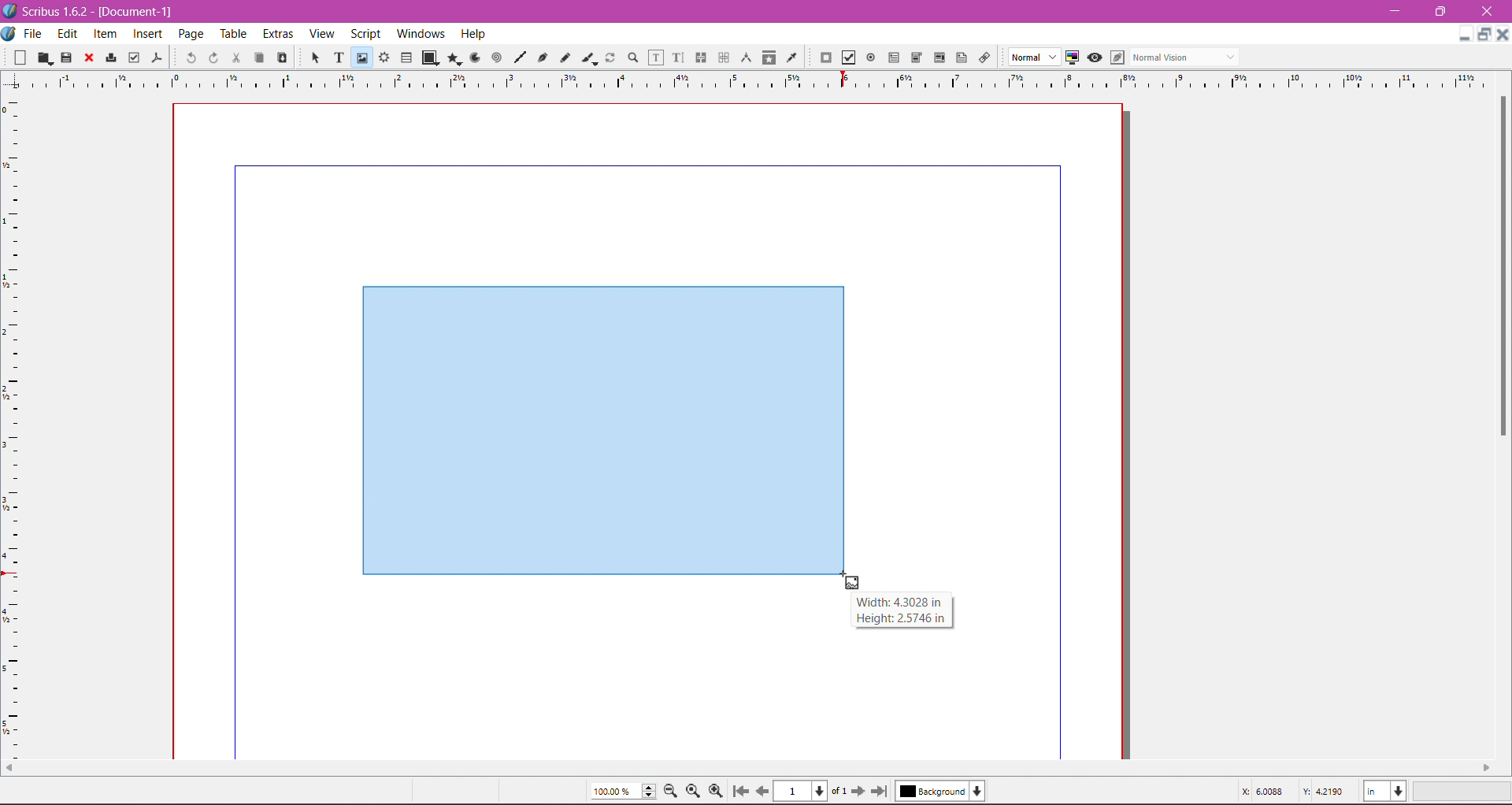 This screenshot has height=805, width=1512. What do you see at coordinates (1323, 791) in the screenshot?
I see `Cursor Coordinate - Y ` at bounding box center [1323, 791].